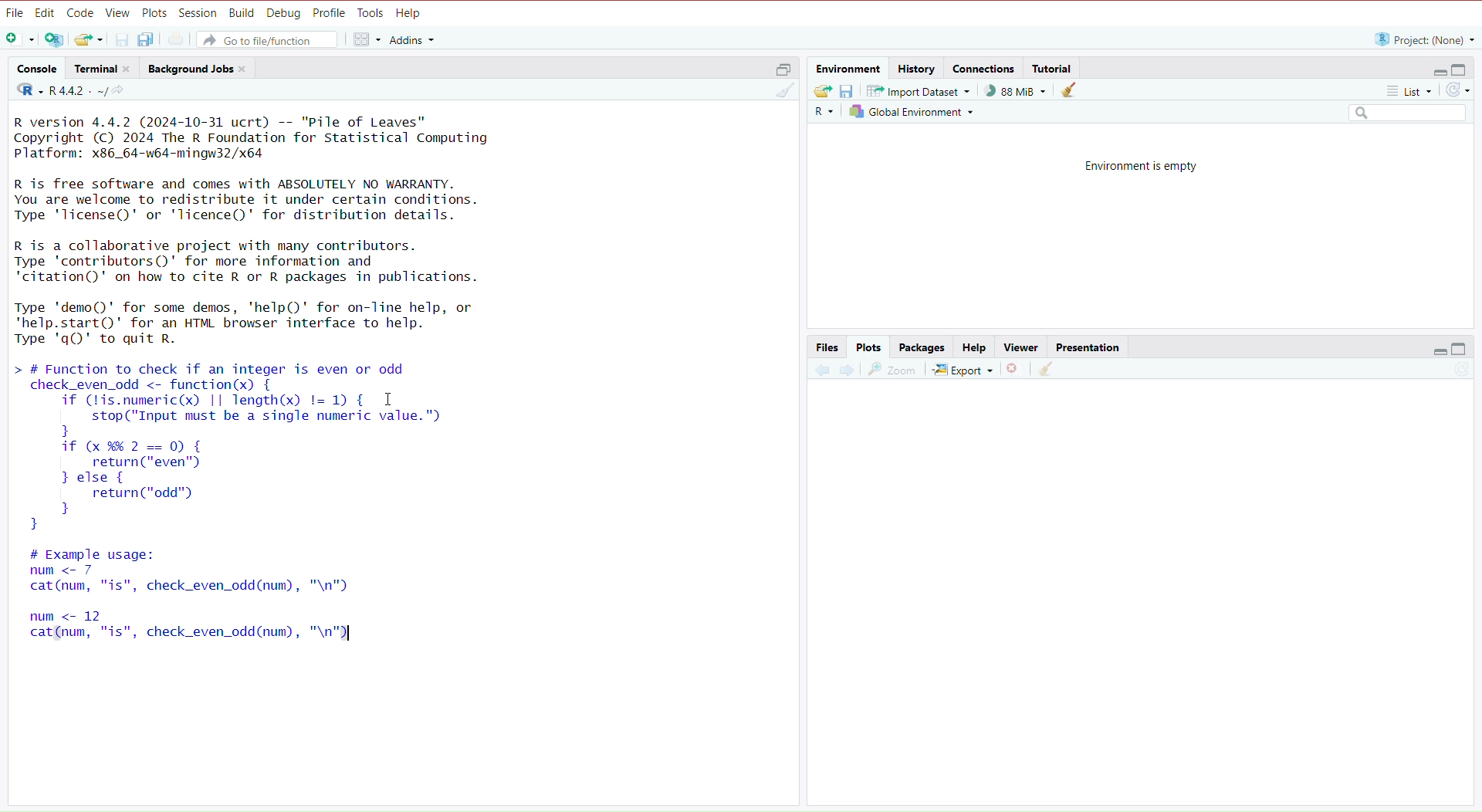  I want to click on backward, so click(821, 374).